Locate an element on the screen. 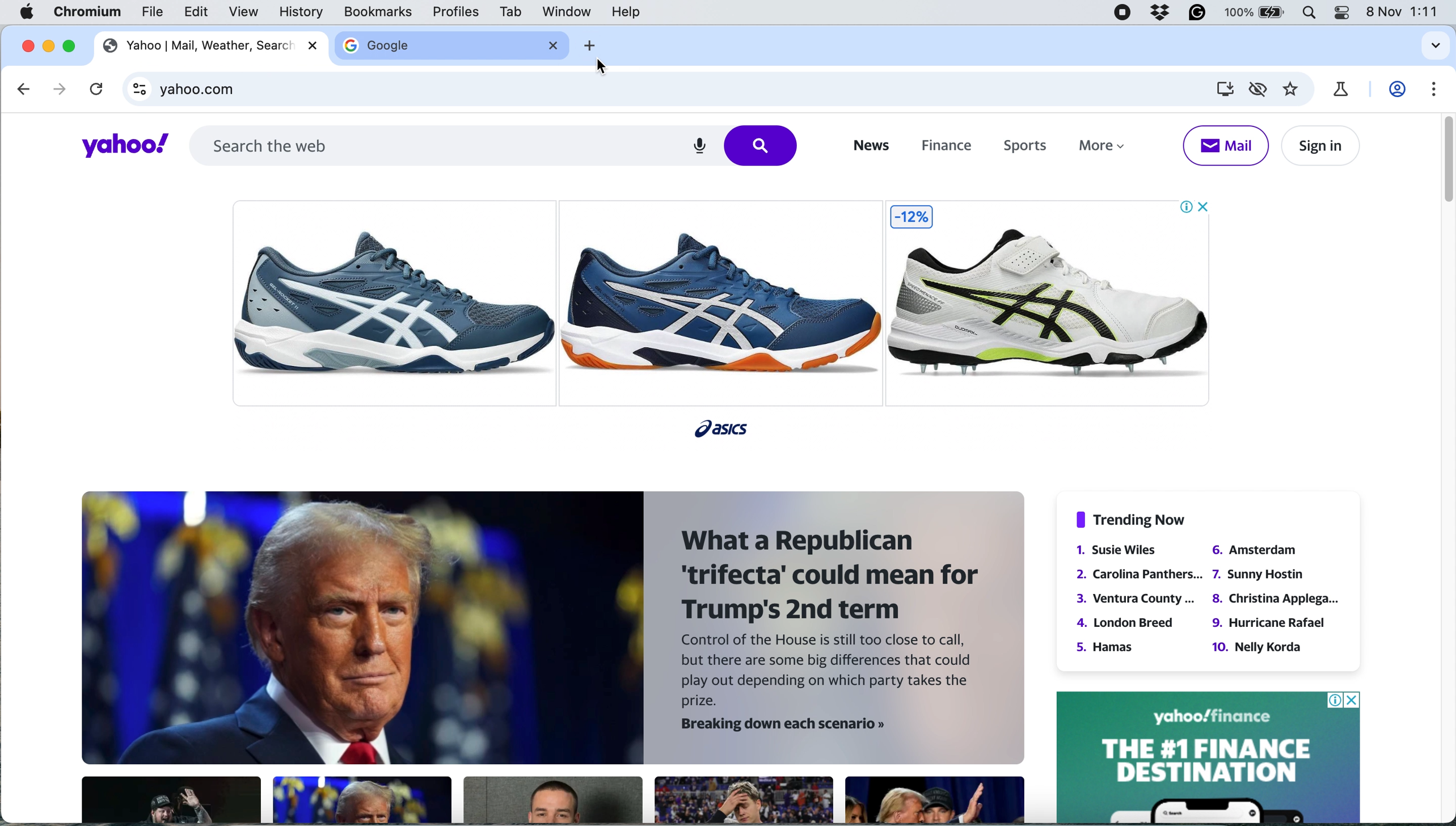 The width and height of the screenshot is (1456, 826). file is located at coordinates (153, 15).